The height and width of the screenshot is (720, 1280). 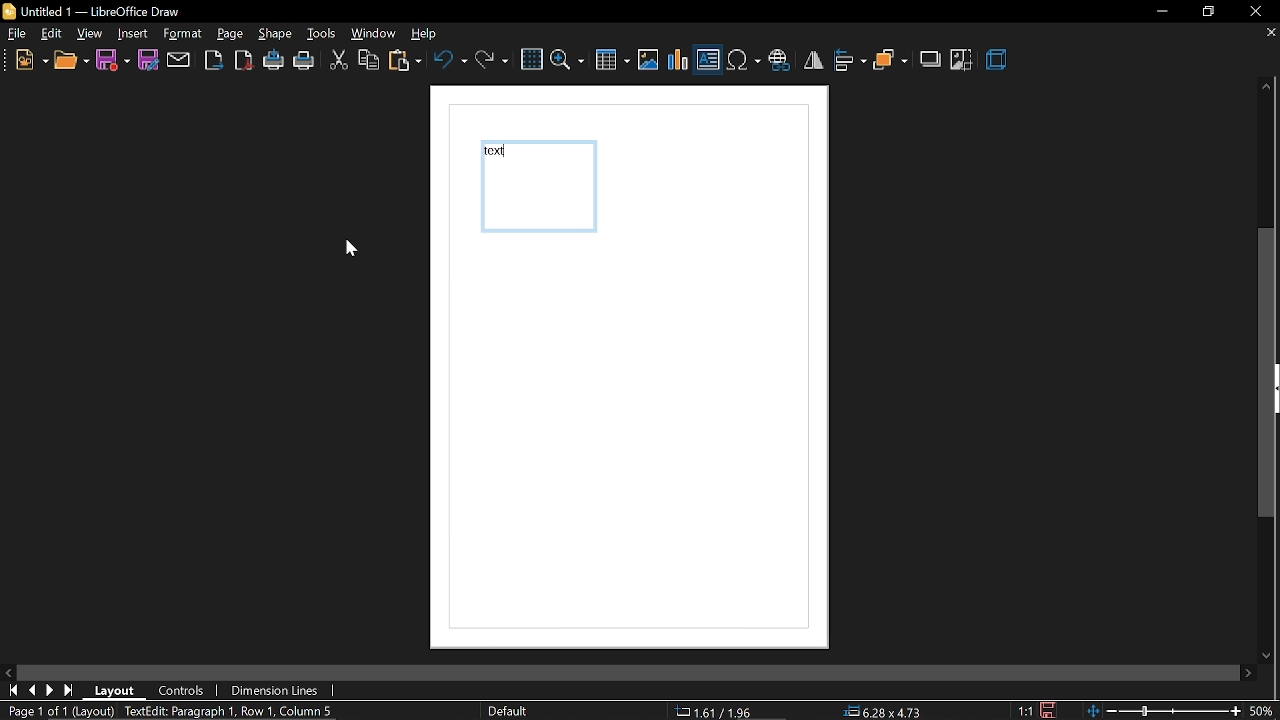 I want to click on shadow, so click(x=932, y=58).